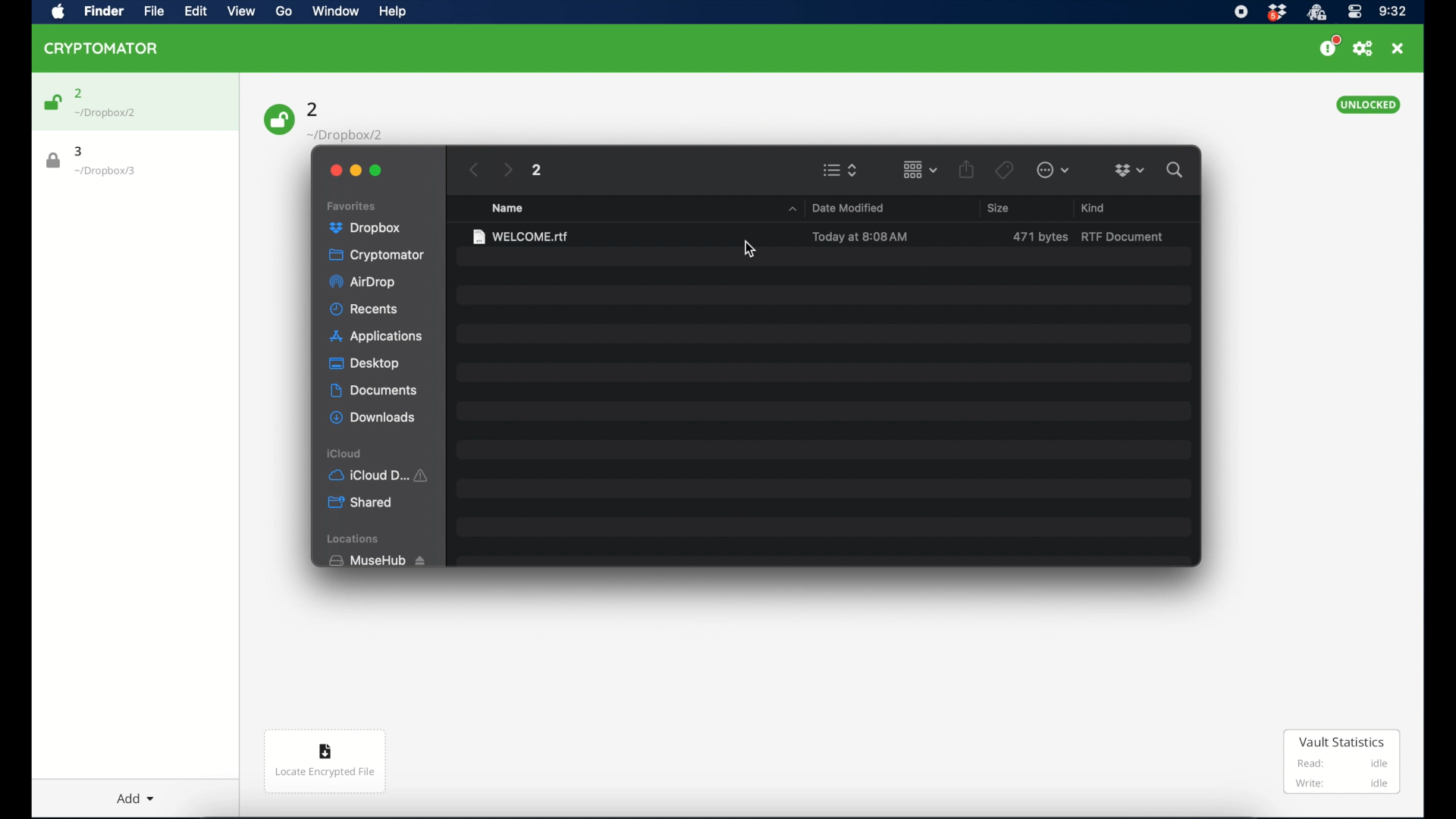  I want to click on vault location, so click(346, 132).